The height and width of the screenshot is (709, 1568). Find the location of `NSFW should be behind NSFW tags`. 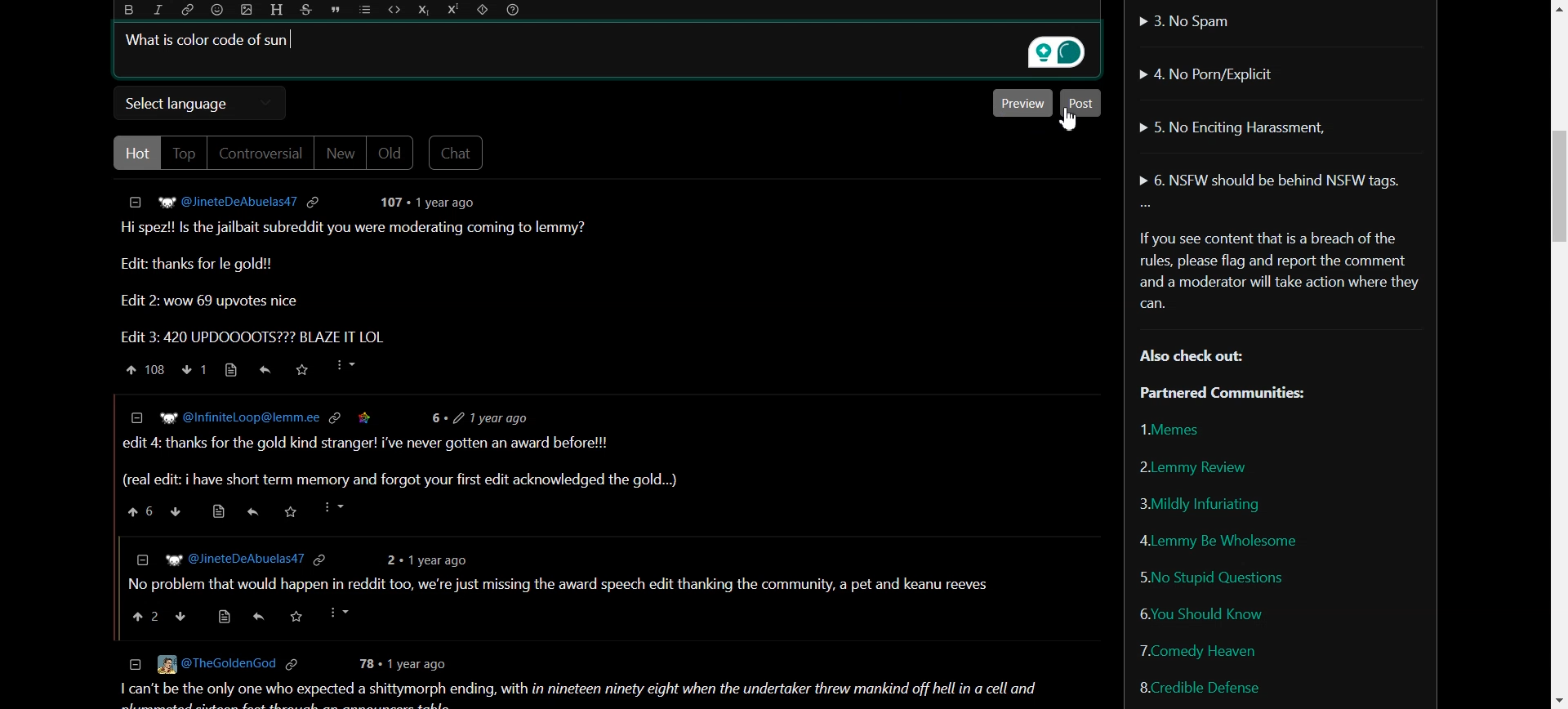

NSFW should be behind NSFW tags is located at coordinates (1273, 181).